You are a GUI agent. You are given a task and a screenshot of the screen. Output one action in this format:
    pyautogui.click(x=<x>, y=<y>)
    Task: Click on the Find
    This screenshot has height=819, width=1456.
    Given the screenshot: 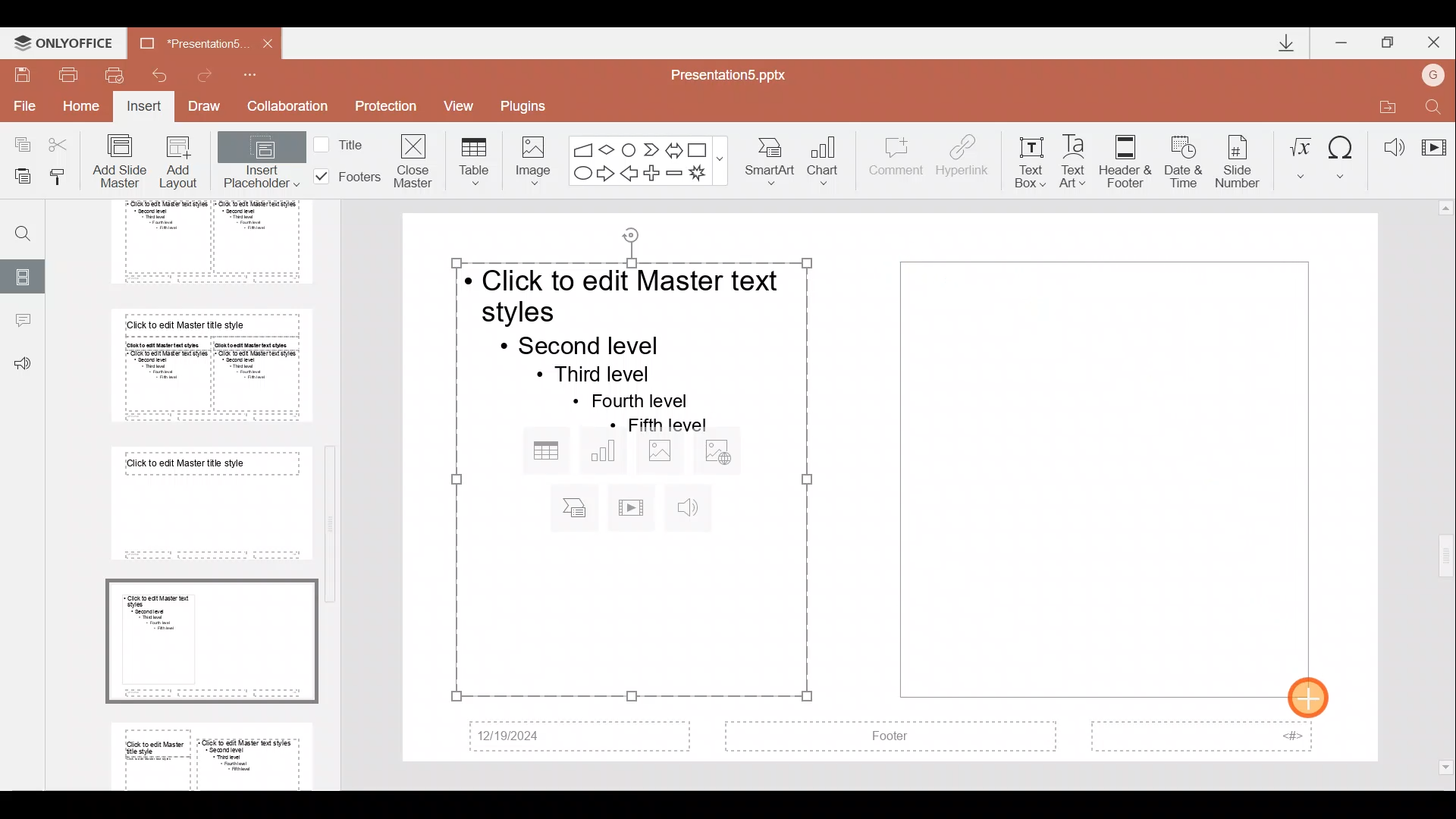 What is the action you would take?
    pyautogui.click(x=1435, y=104)
    